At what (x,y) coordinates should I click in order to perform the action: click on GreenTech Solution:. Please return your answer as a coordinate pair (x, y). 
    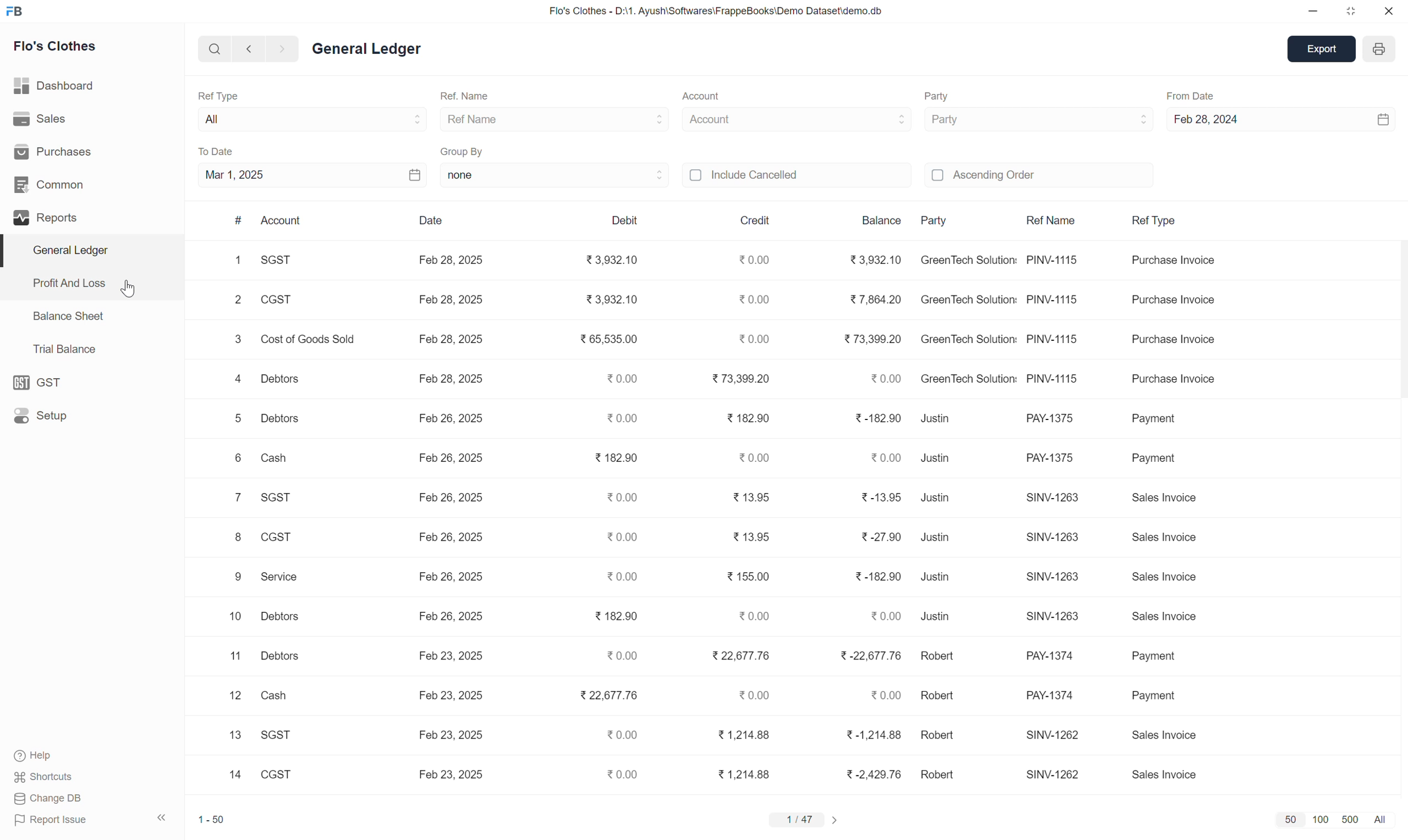
    Looking at the image, I should click on (965, 260).